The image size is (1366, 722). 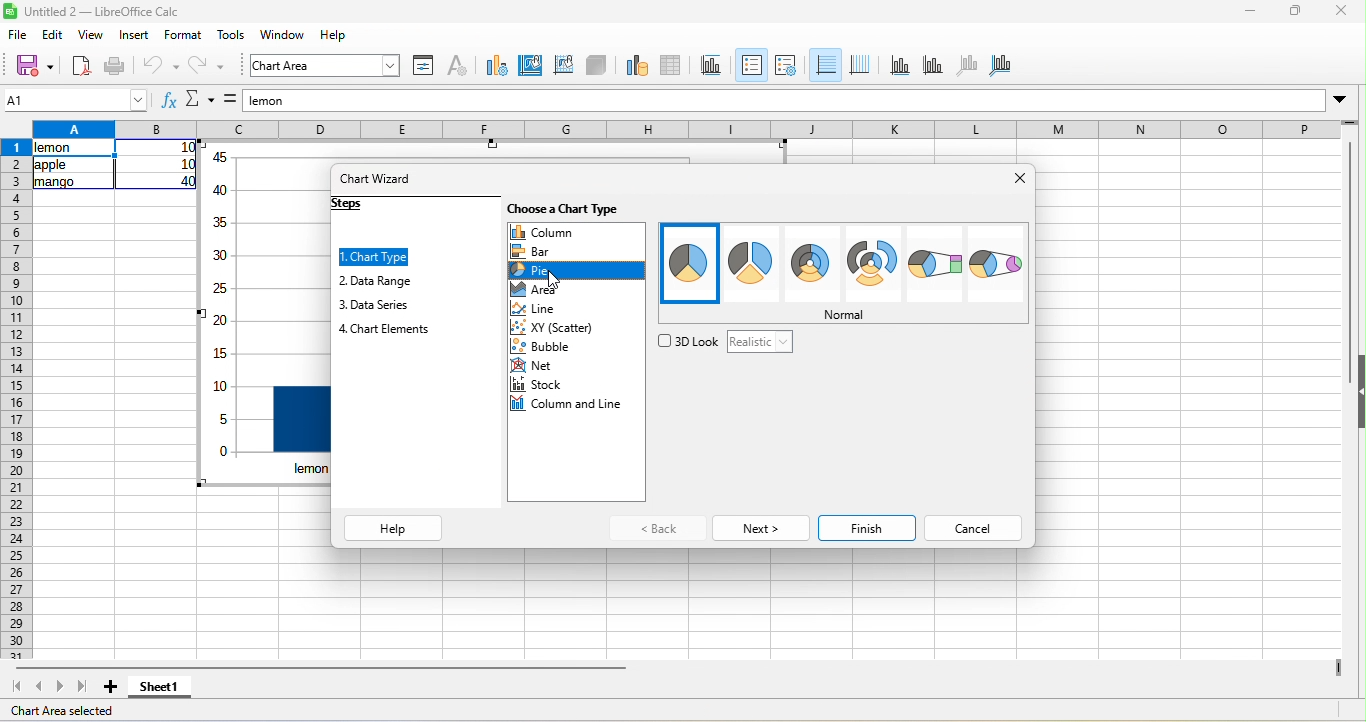 I want to click on legend, so click(x=794, y=65).